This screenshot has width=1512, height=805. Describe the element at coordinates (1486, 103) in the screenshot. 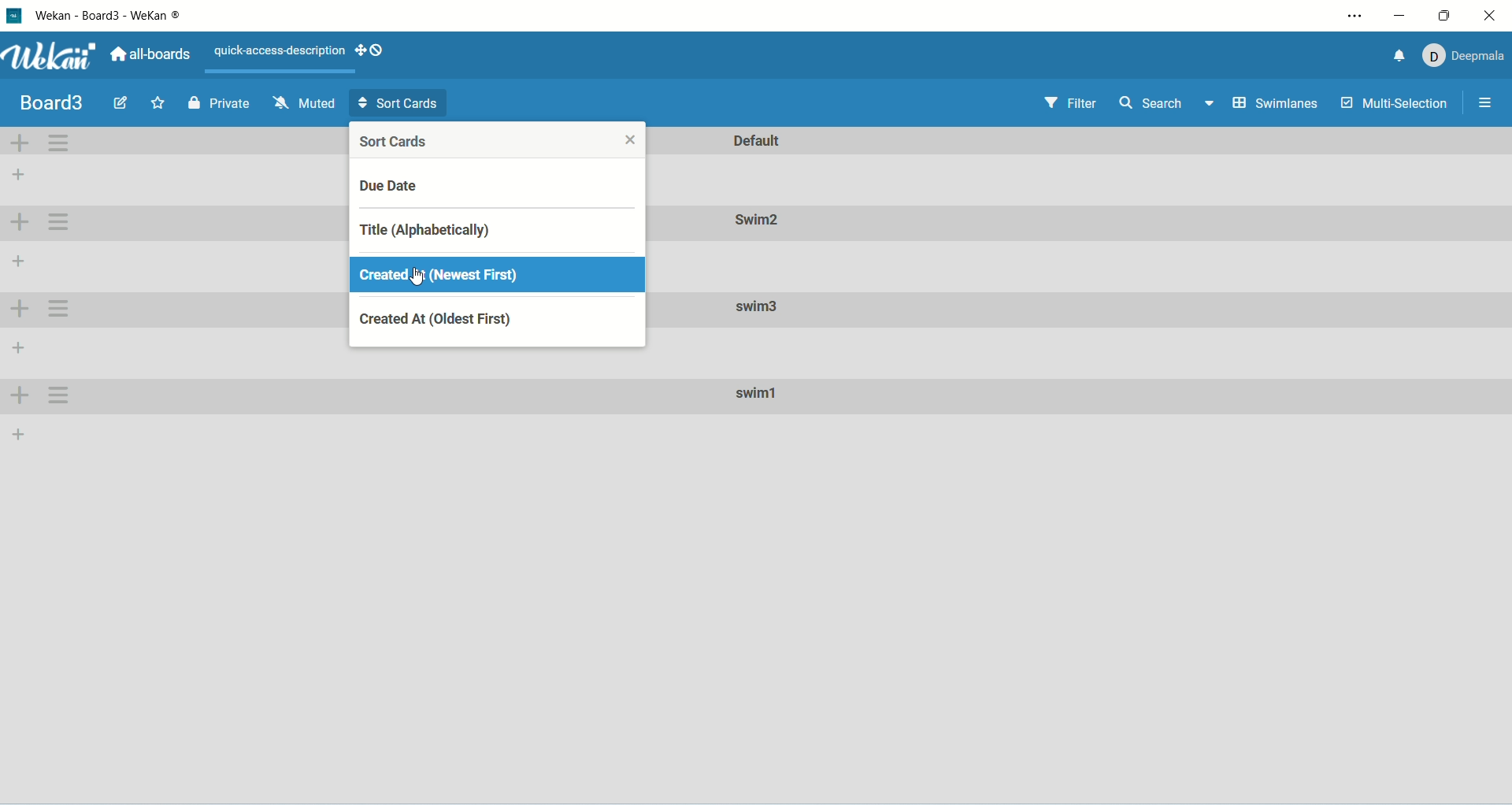

I see `options` at that location.